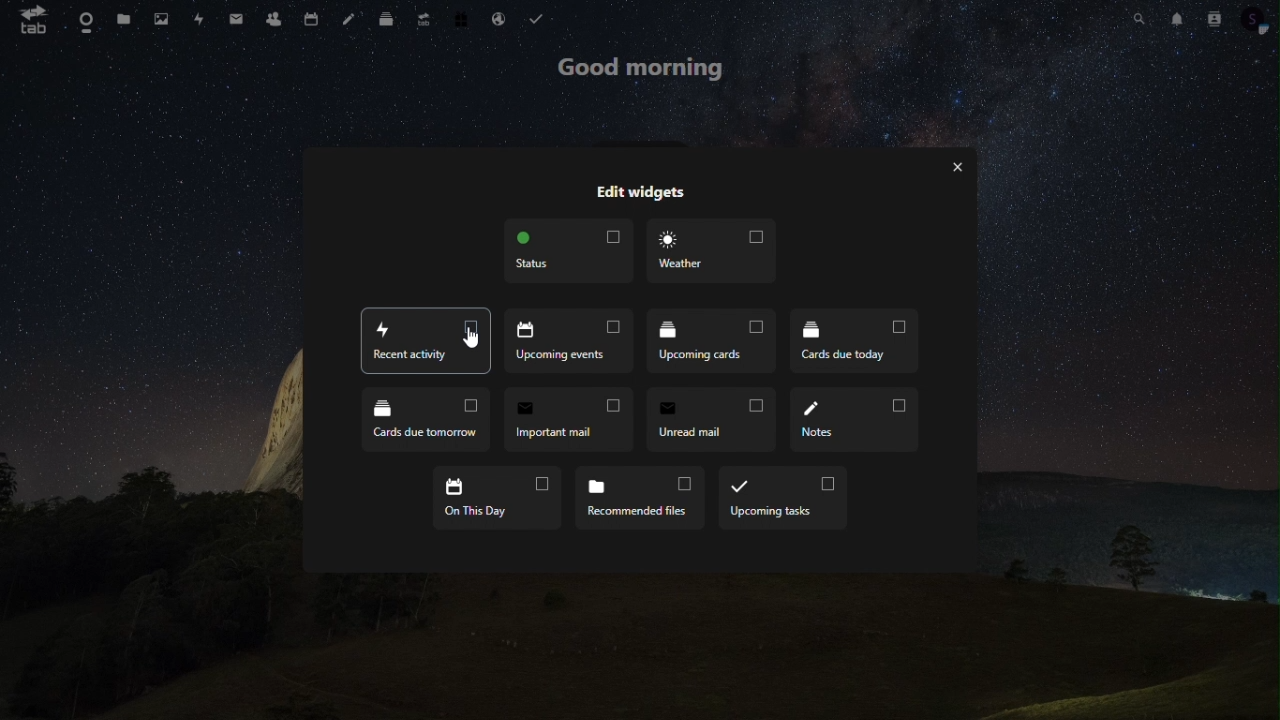  What do you see at coordinates (316, 16) in the screenshot?
I see `calender` at bounding box center [316, 16].